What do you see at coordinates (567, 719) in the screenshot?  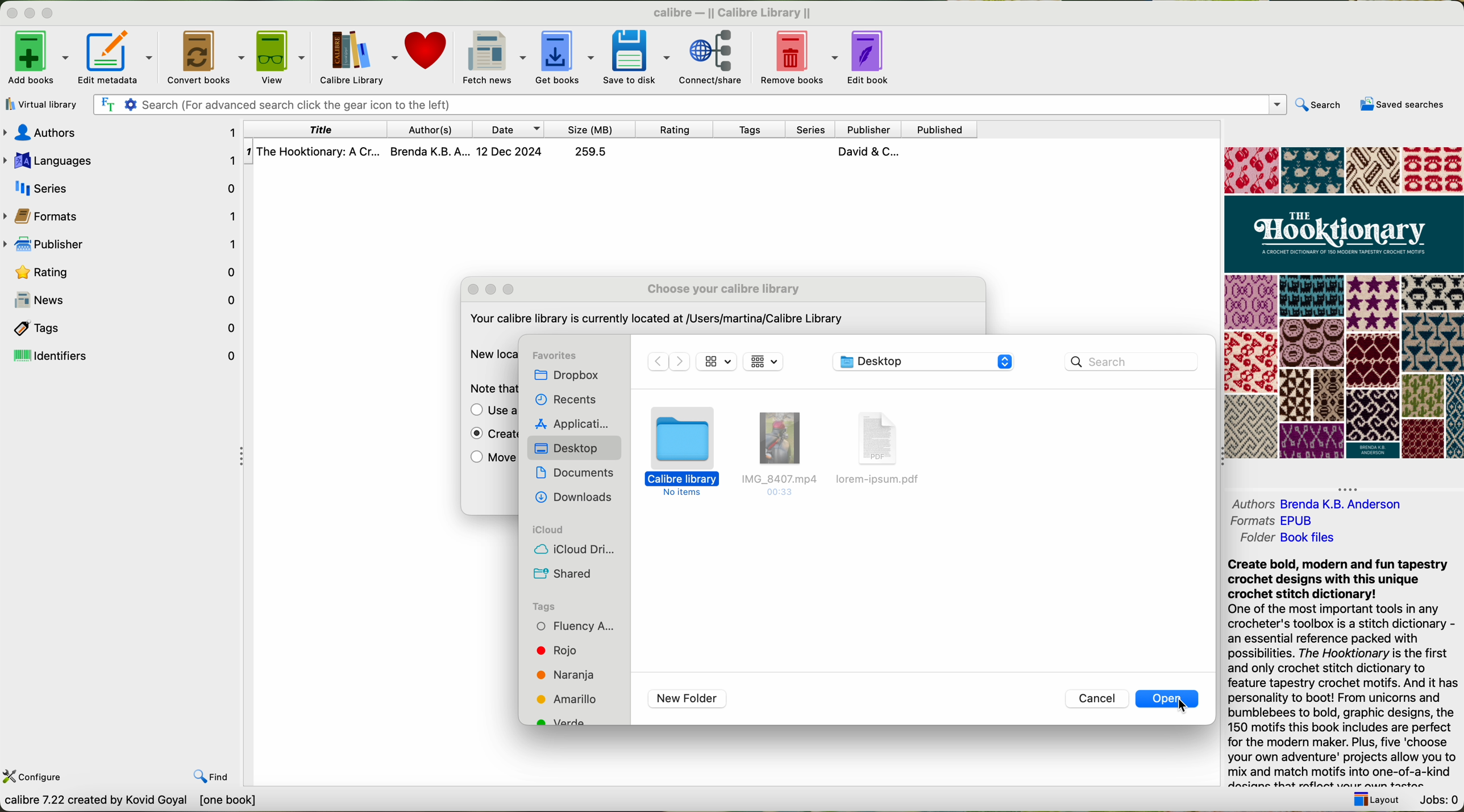 I see `tag` at bounding box center [567, 719].